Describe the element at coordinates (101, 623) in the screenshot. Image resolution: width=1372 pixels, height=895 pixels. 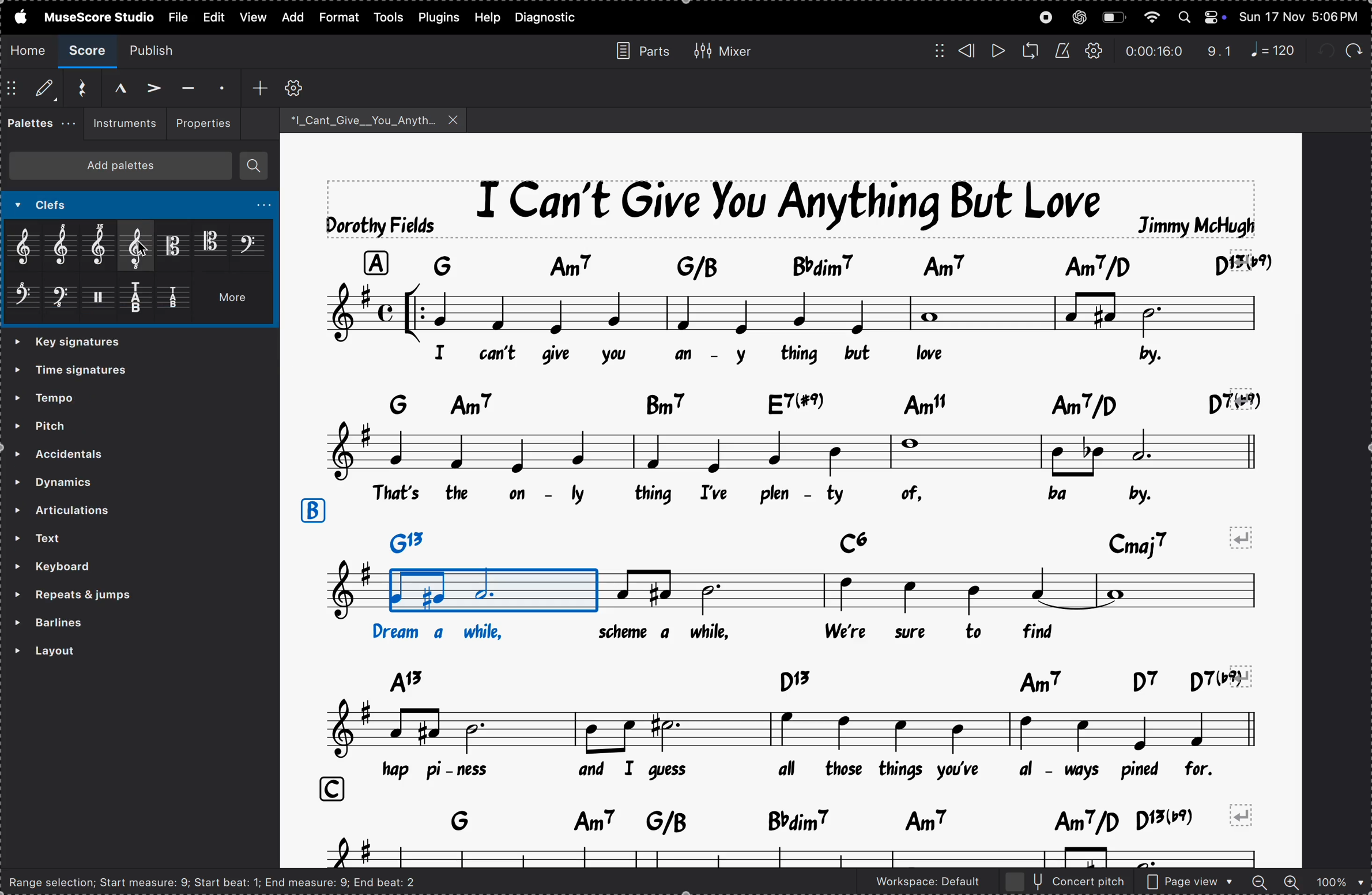
I see `barlines` at that location.